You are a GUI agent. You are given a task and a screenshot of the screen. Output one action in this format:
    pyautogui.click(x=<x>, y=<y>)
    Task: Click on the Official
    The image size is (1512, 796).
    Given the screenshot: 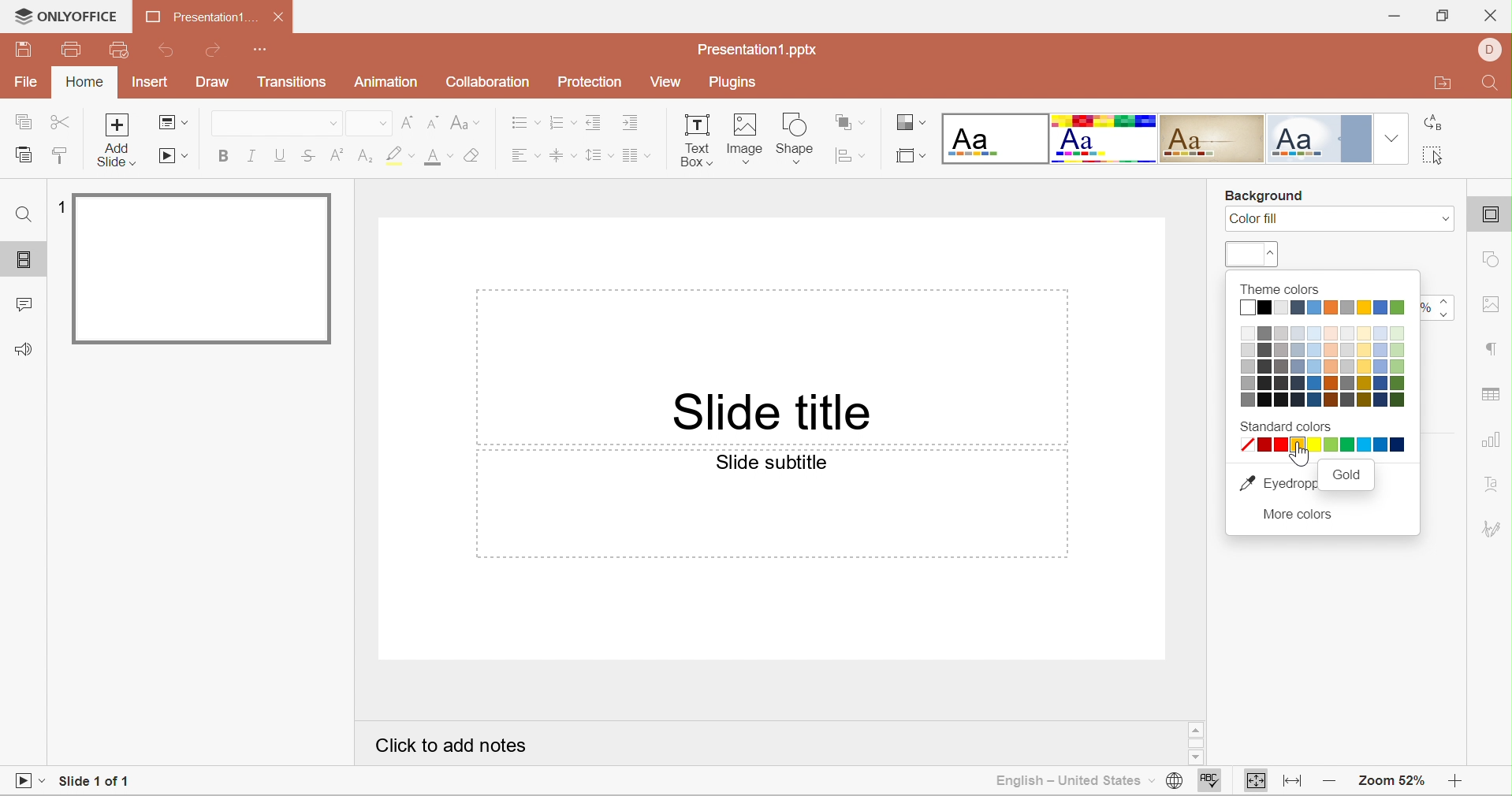 What is the action you would take?
    pyautogui.click(x=1320, y=139)
    